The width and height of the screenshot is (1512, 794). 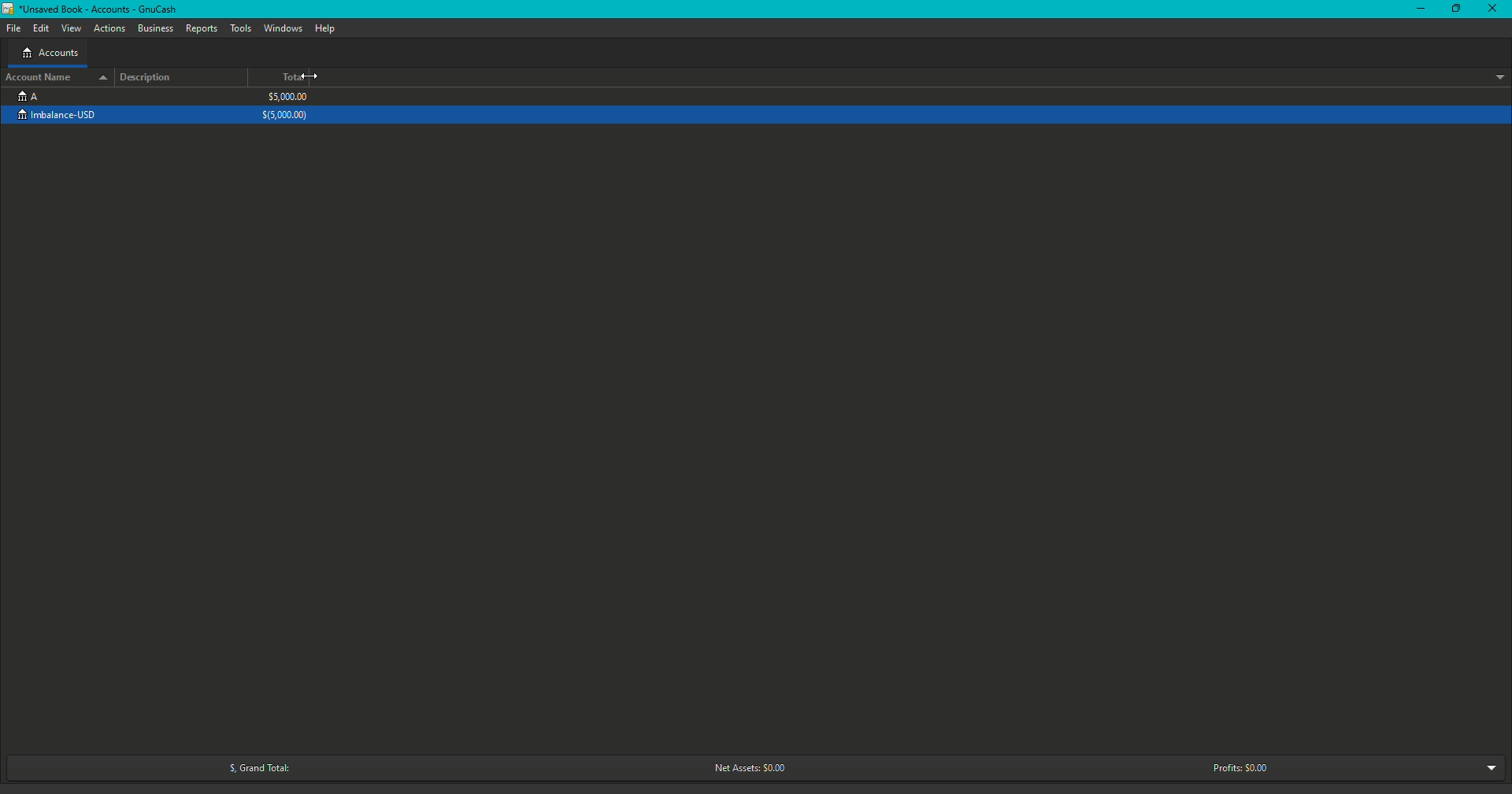 I want to click on View, so click(x=72, y=29).